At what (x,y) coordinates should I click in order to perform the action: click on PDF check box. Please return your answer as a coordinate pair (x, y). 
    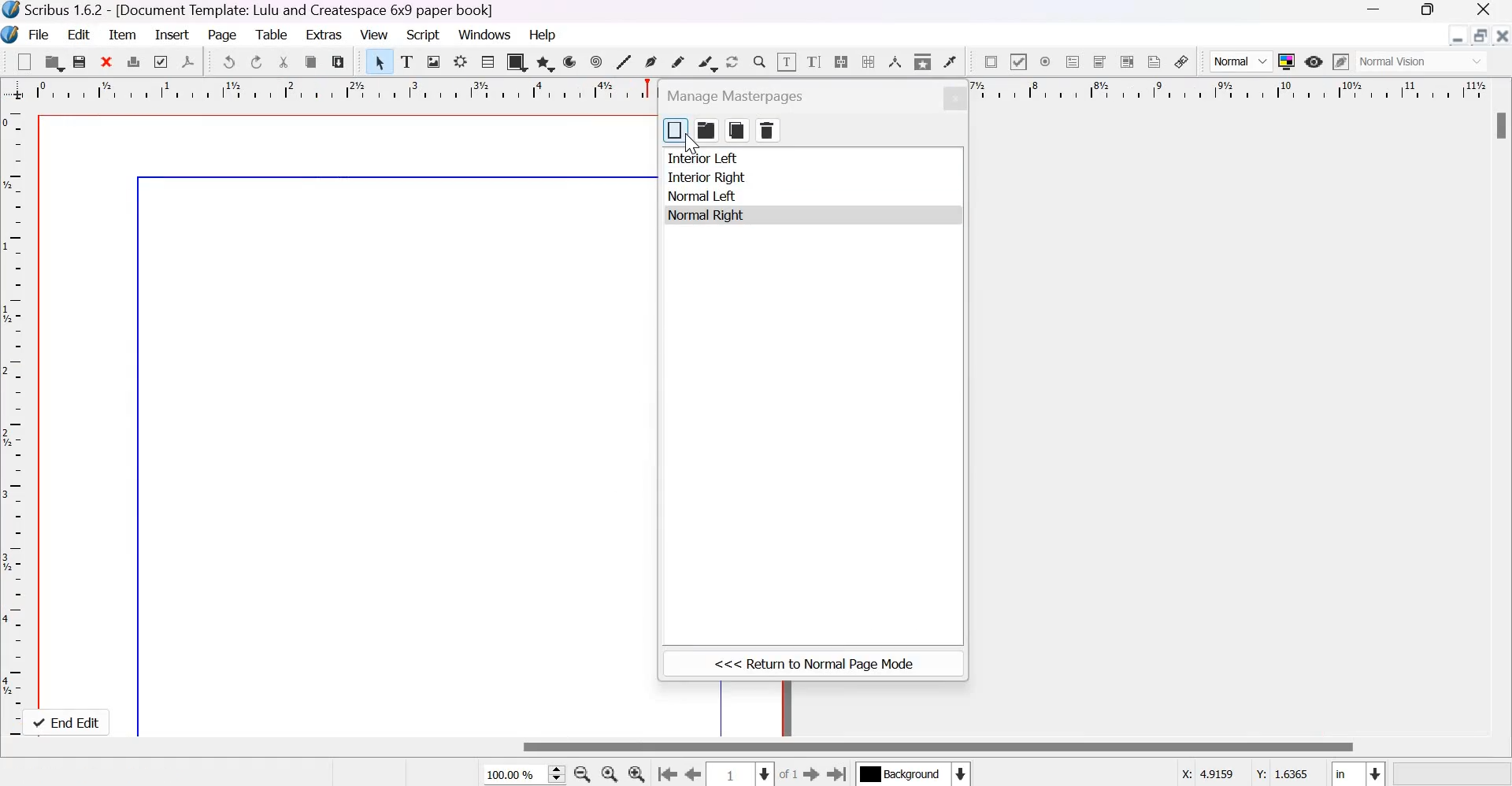
    Looking at the image, I should click on (1017, 61).